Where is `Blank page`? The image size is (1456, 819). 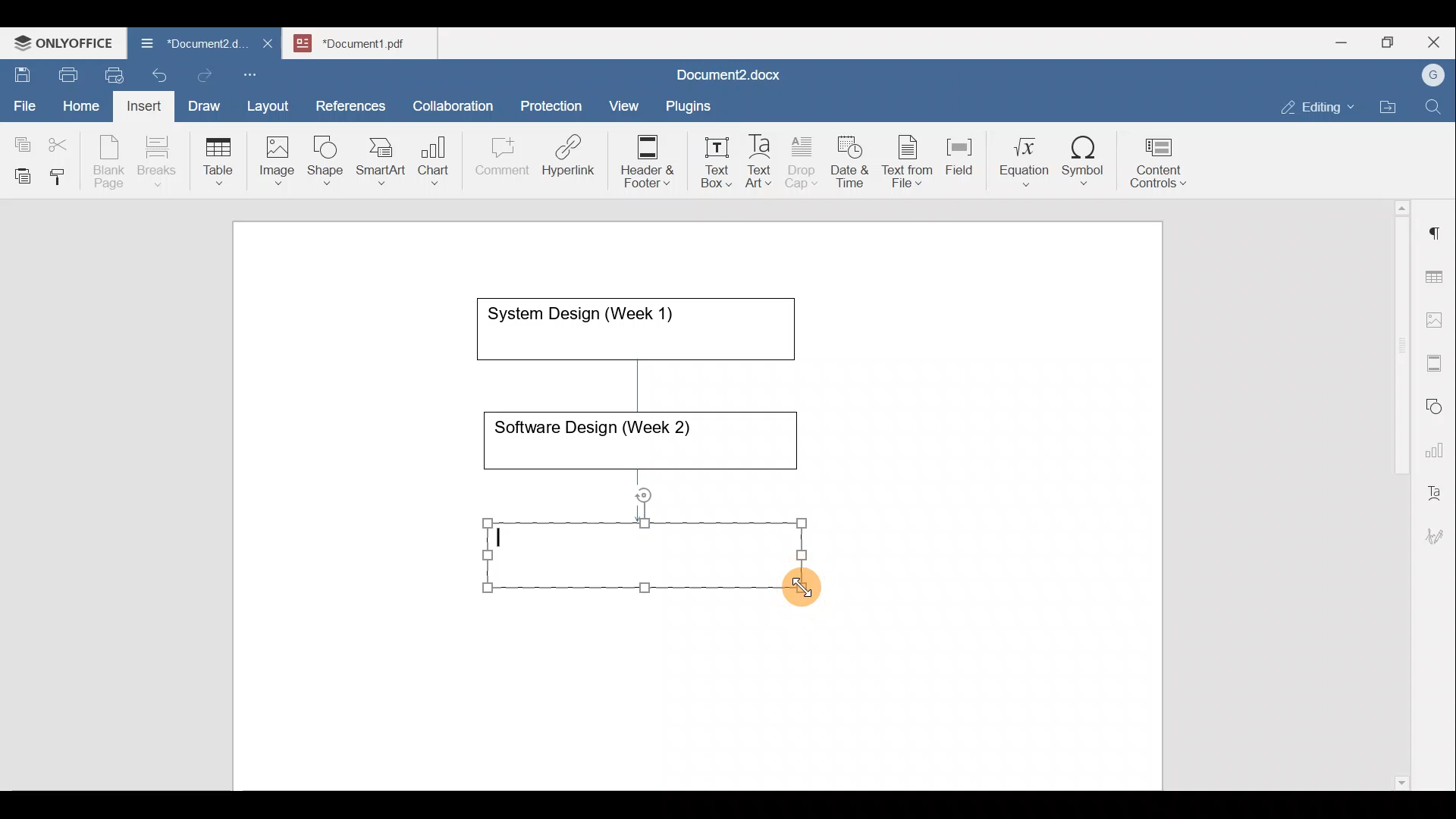
Blank page is located at coordinates (111, 162).